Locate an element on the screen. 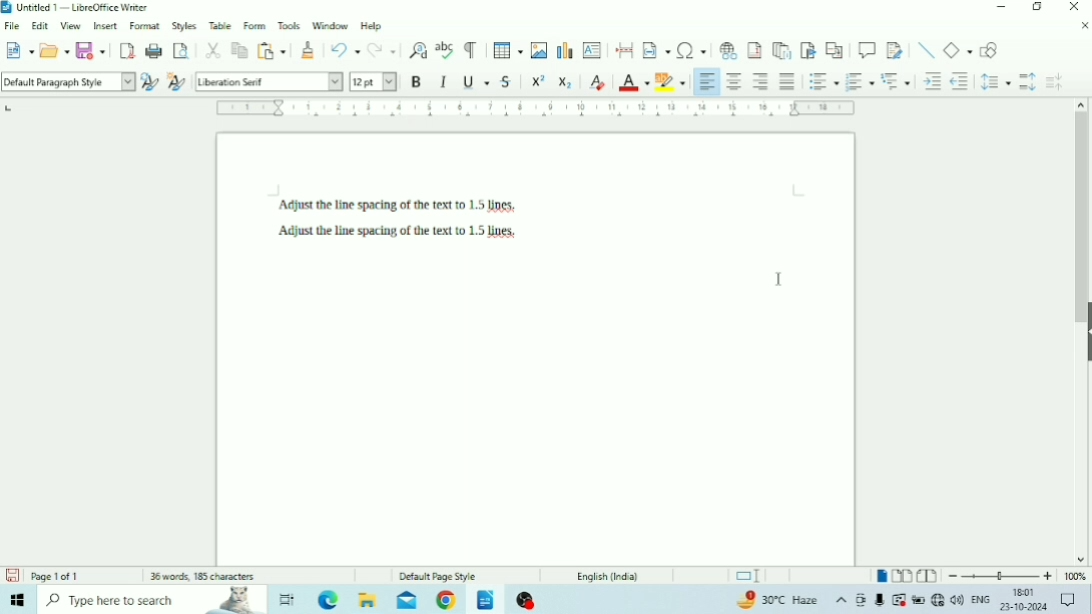  Align Center is located at coordinates (734, 81).